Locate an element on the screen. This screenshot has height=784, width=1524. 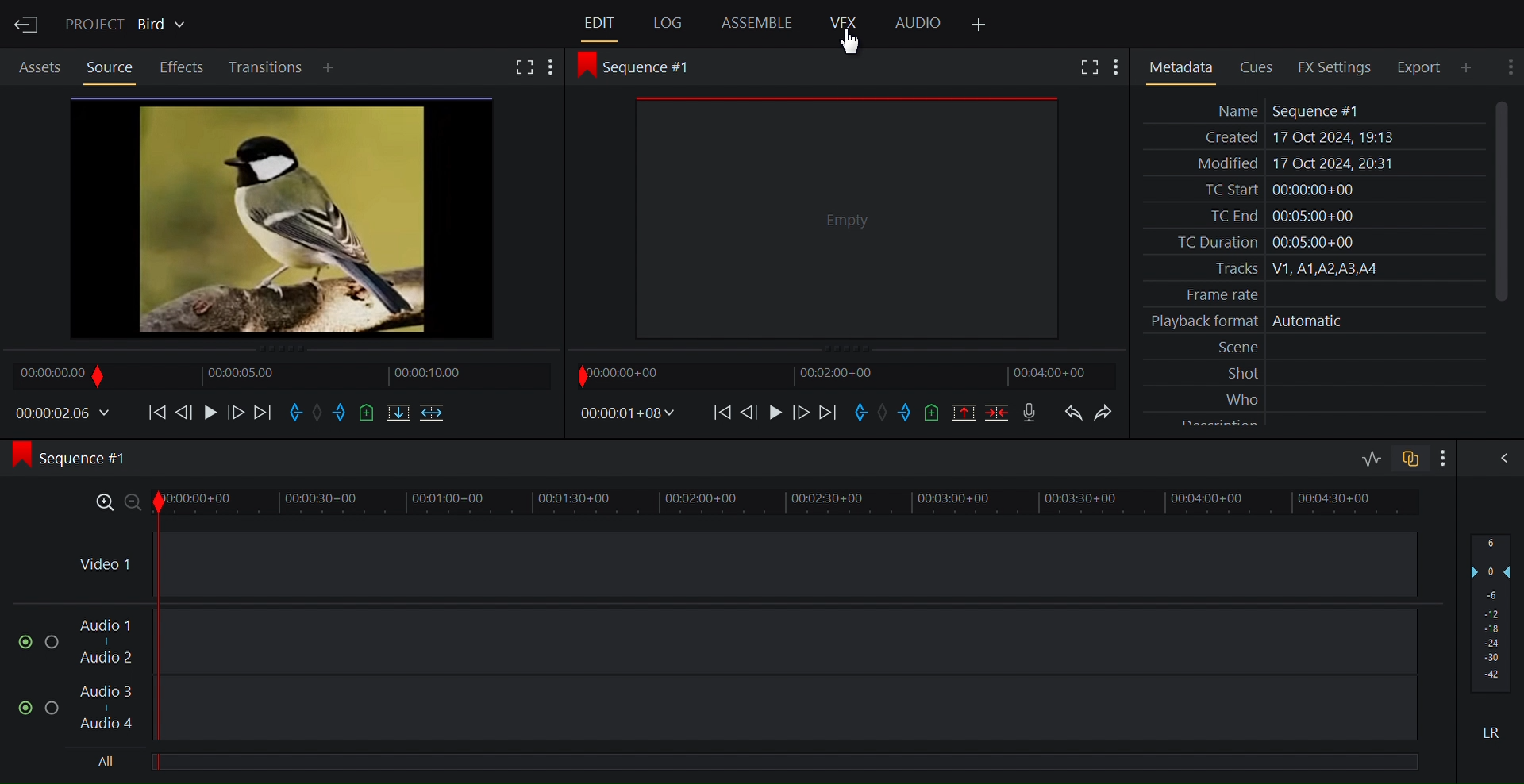
Metadata is located at coordinates (1178, 67).